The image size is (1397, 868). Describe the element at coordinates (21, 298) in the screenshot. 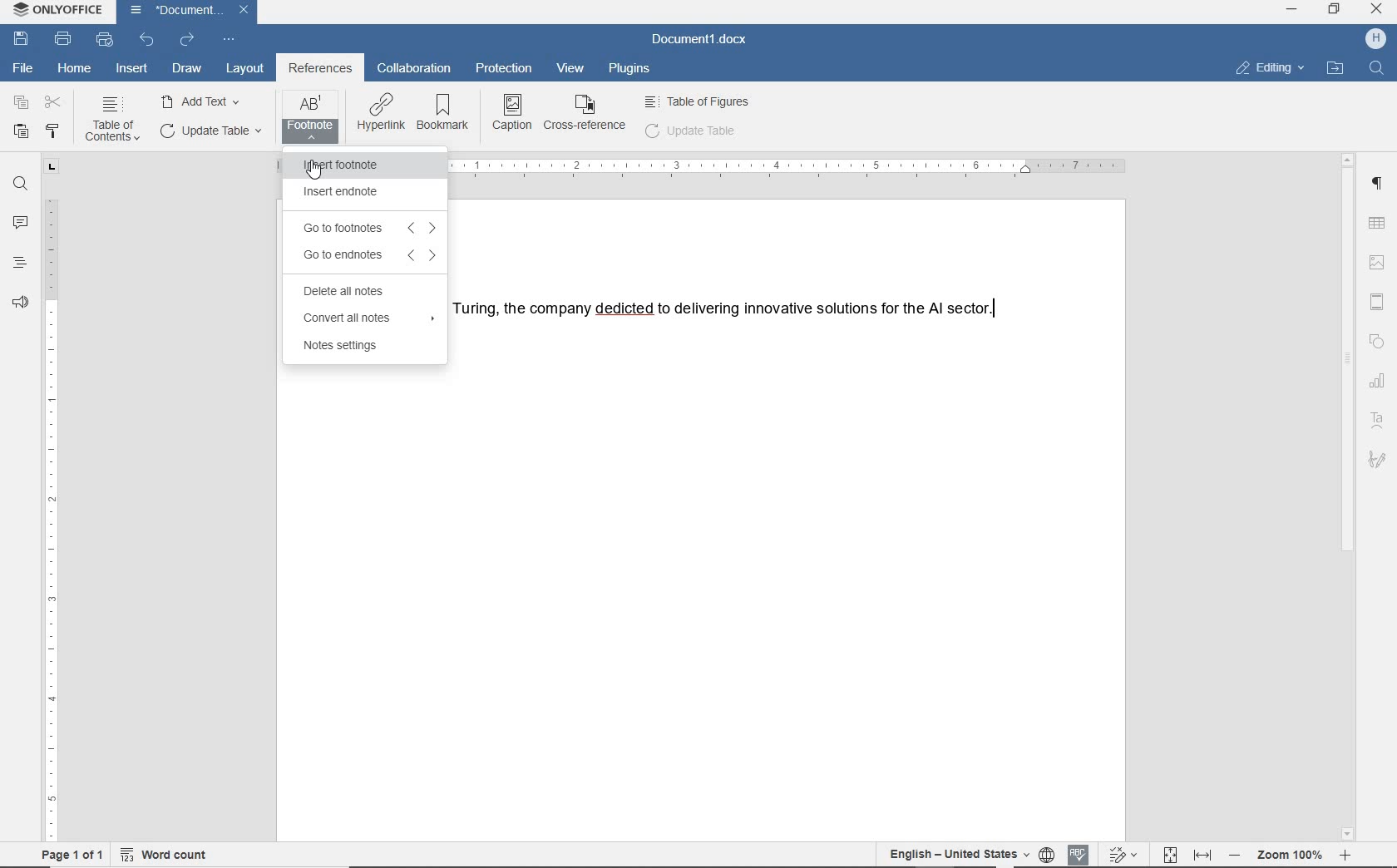

I see `feedback & support` at that location.